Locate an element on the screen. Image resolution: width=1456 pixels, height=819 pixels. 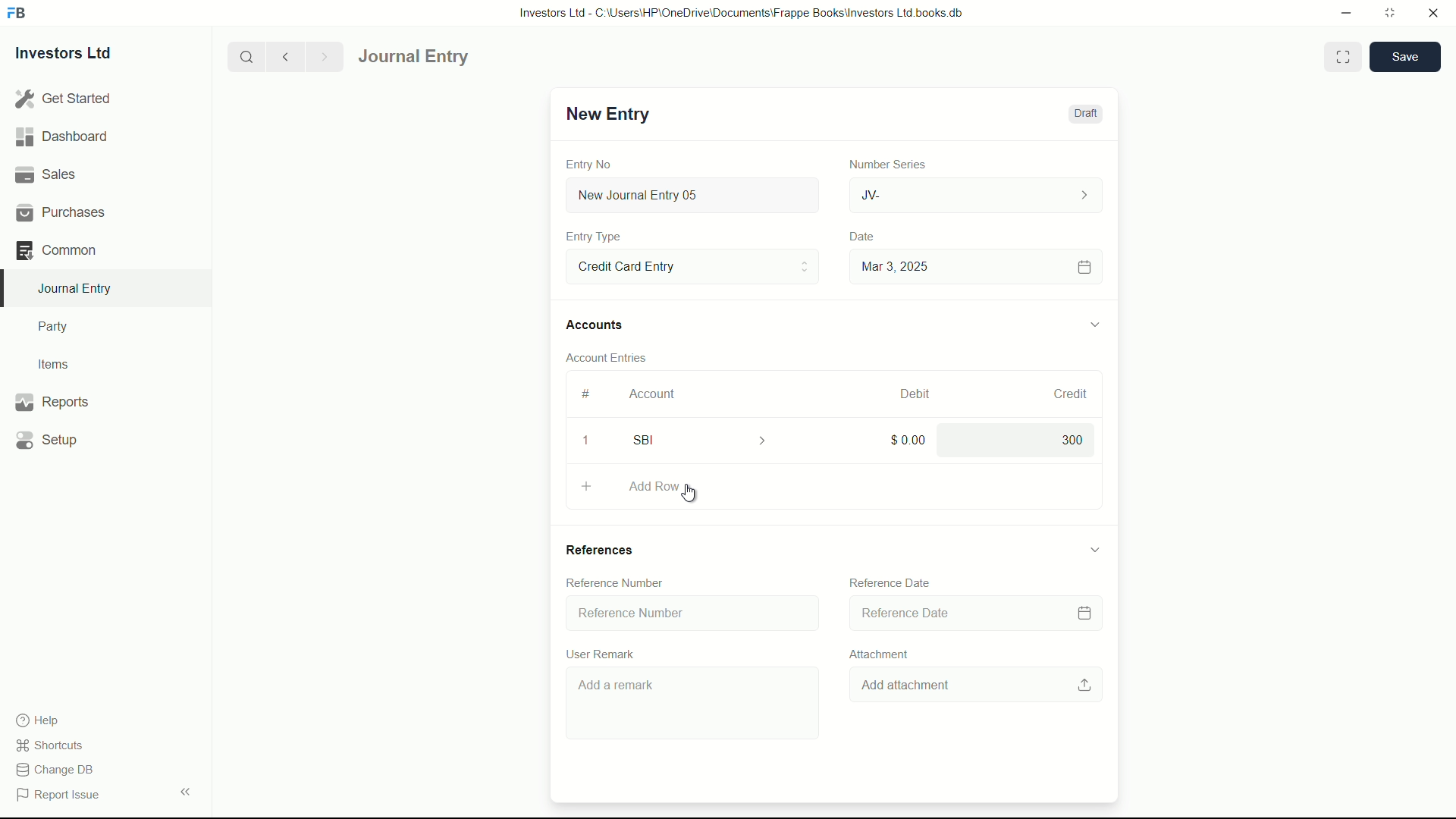
Toggle between form and full width is located at coordinates (1344, 57).